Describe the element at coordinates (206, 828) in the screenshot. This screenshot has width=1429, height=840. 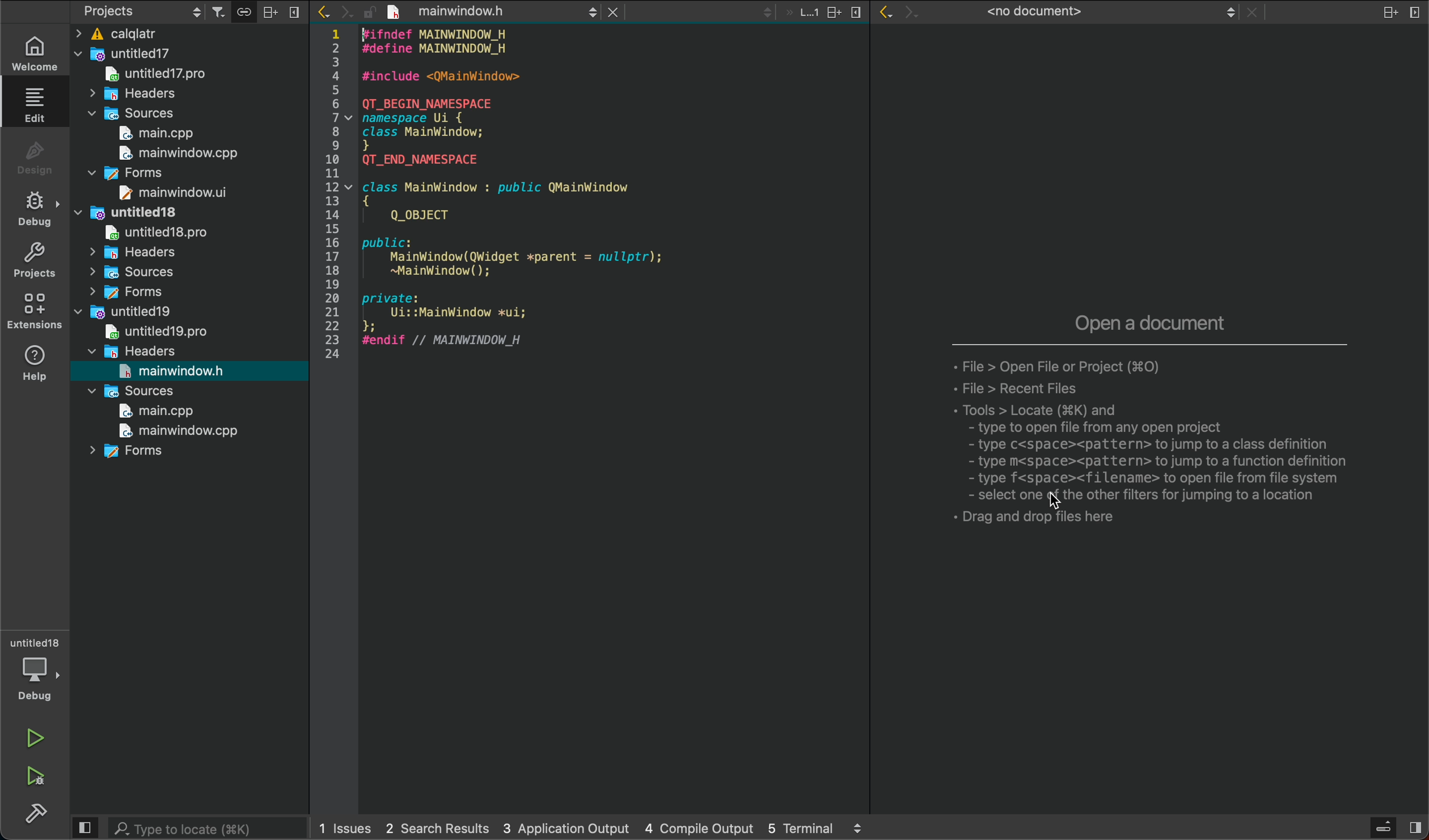
I see `search ` at that location.